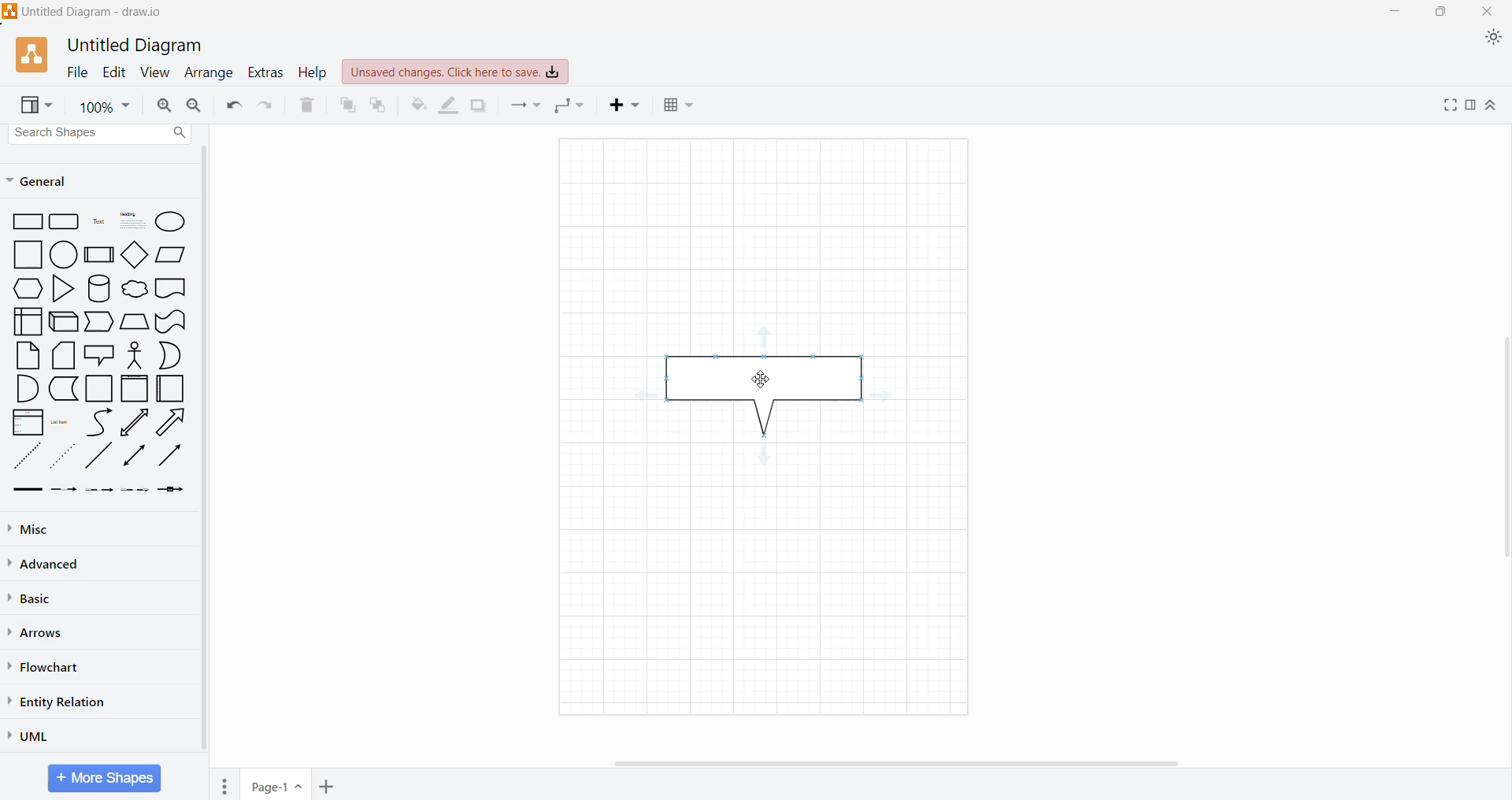  What do you see at coordinates (39, 632) in the screenshot?
I see `Arrows` at bounding box center [39, 632].